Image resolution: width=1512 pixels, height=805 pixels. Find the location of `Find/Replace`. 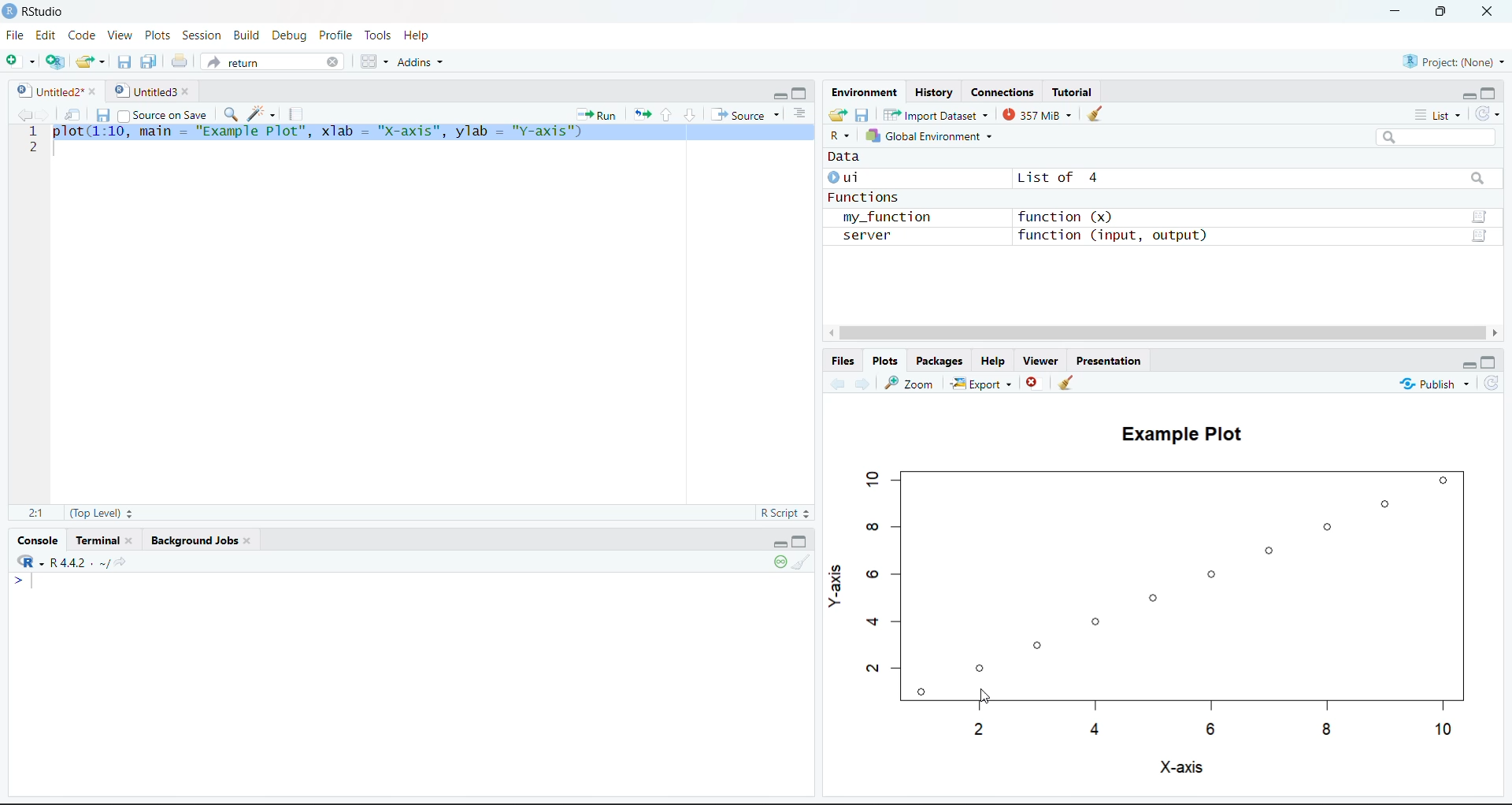

Find/Replace is located at coordinates (229, 113).